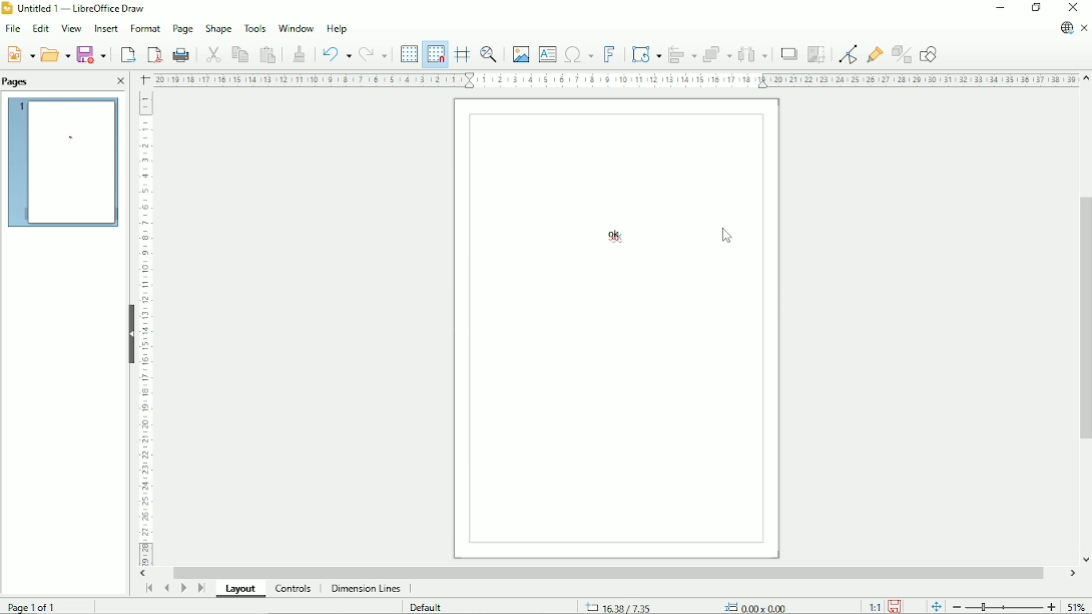 The height and width of the screenshot is (614, 1092). What do you see at coordinates (547, 53) in the screenshot?
I see `Insert text box` at bounding box center [547, 53].